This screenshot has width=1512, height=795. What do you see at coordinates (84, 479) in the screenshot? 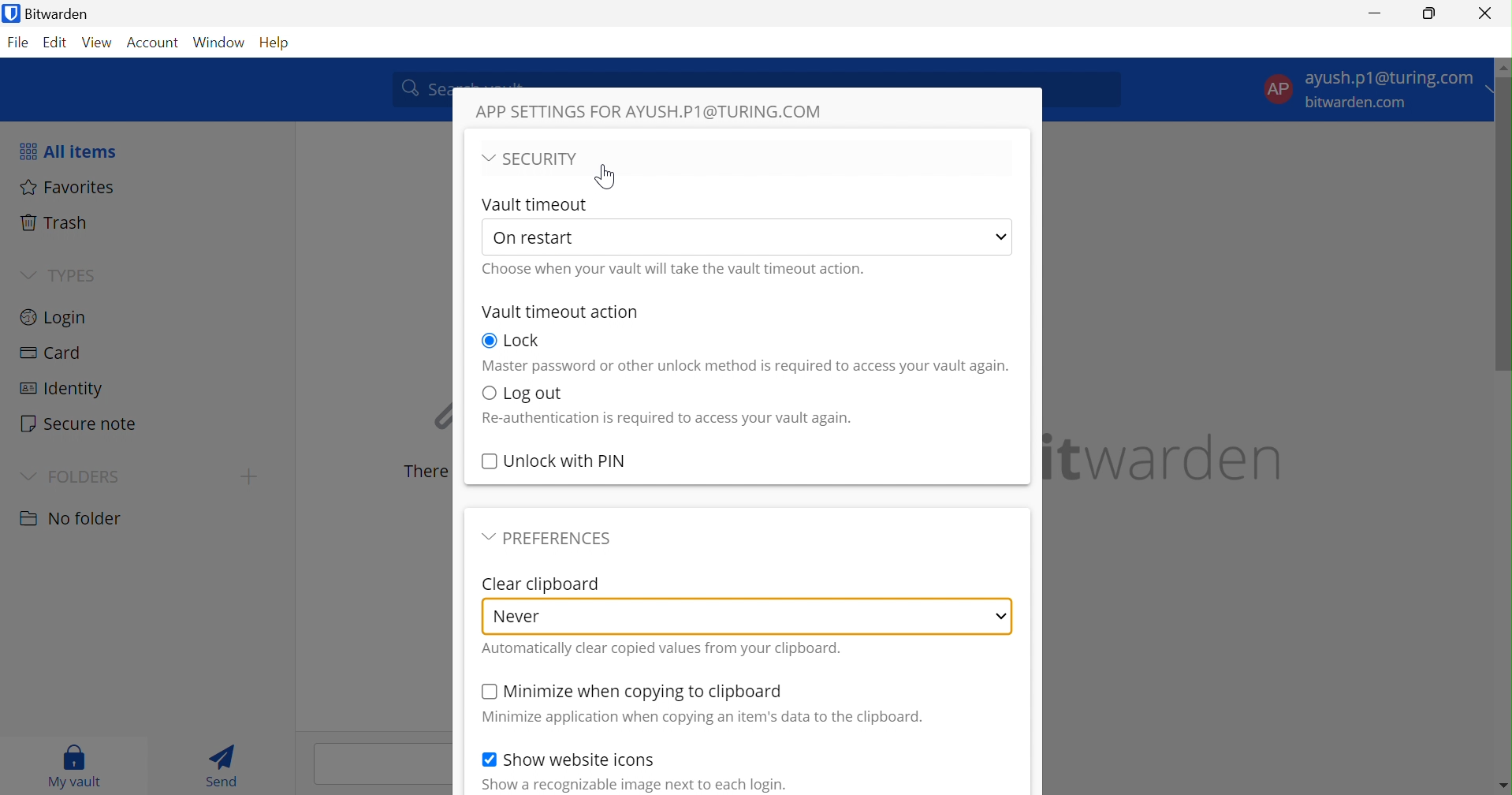
I see `FOLDERS` at bounding box center [84, 479].